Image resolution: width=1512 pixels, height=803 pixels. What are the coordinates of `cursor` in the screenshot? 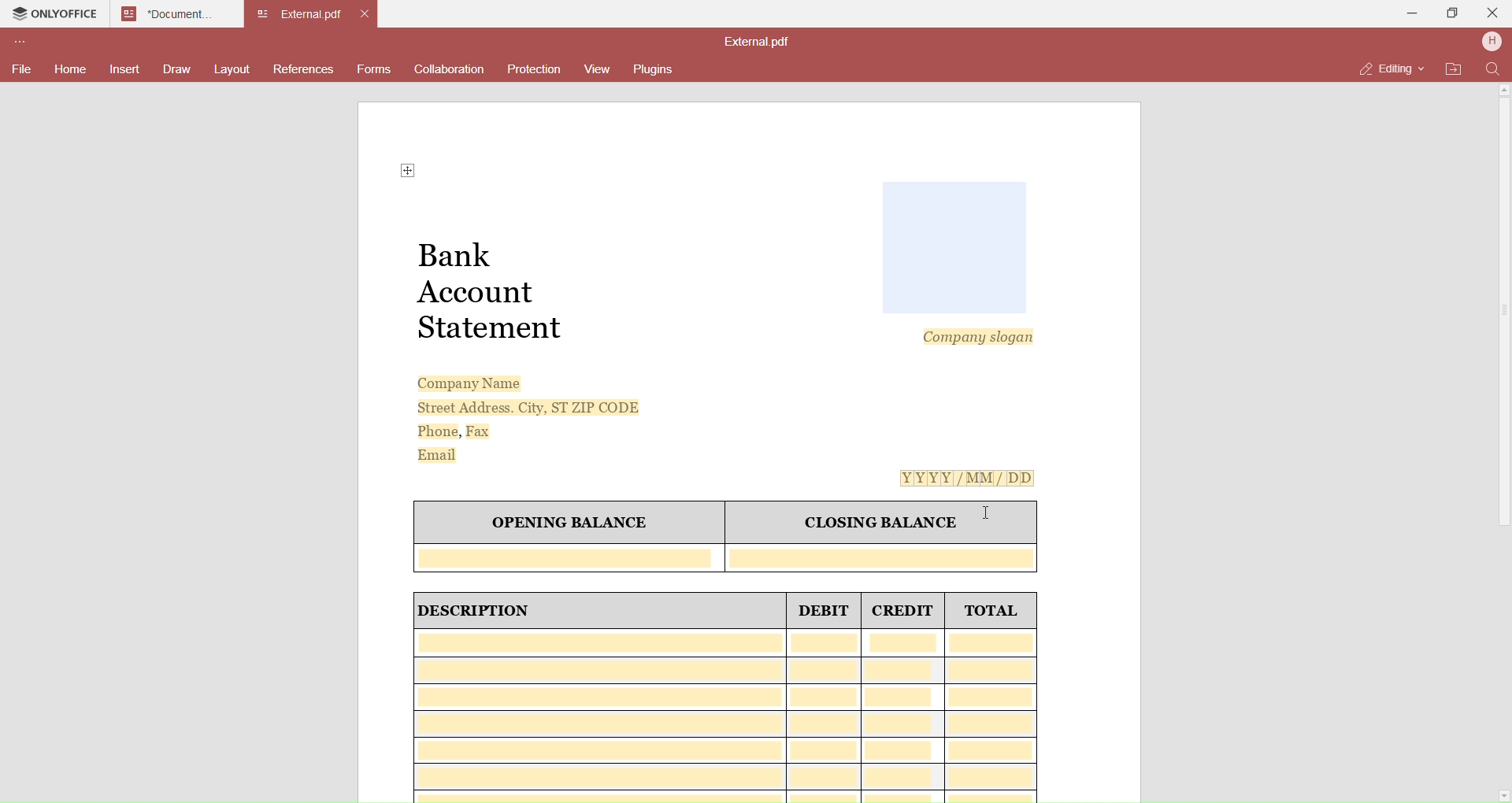 It's located at (987, 513).